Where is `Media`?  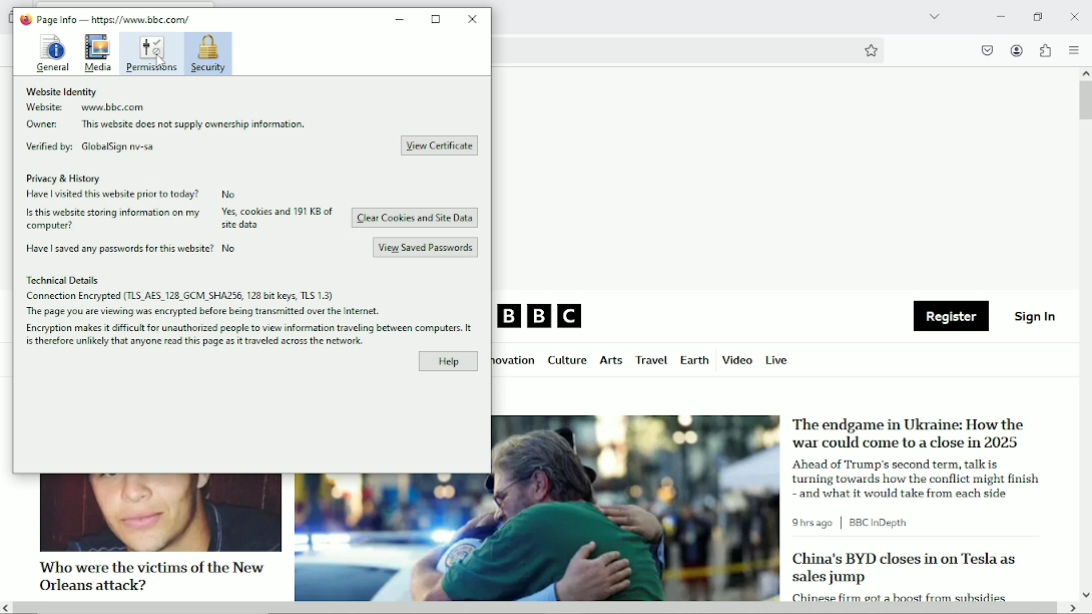
Media is located at coordinates (98, 54).